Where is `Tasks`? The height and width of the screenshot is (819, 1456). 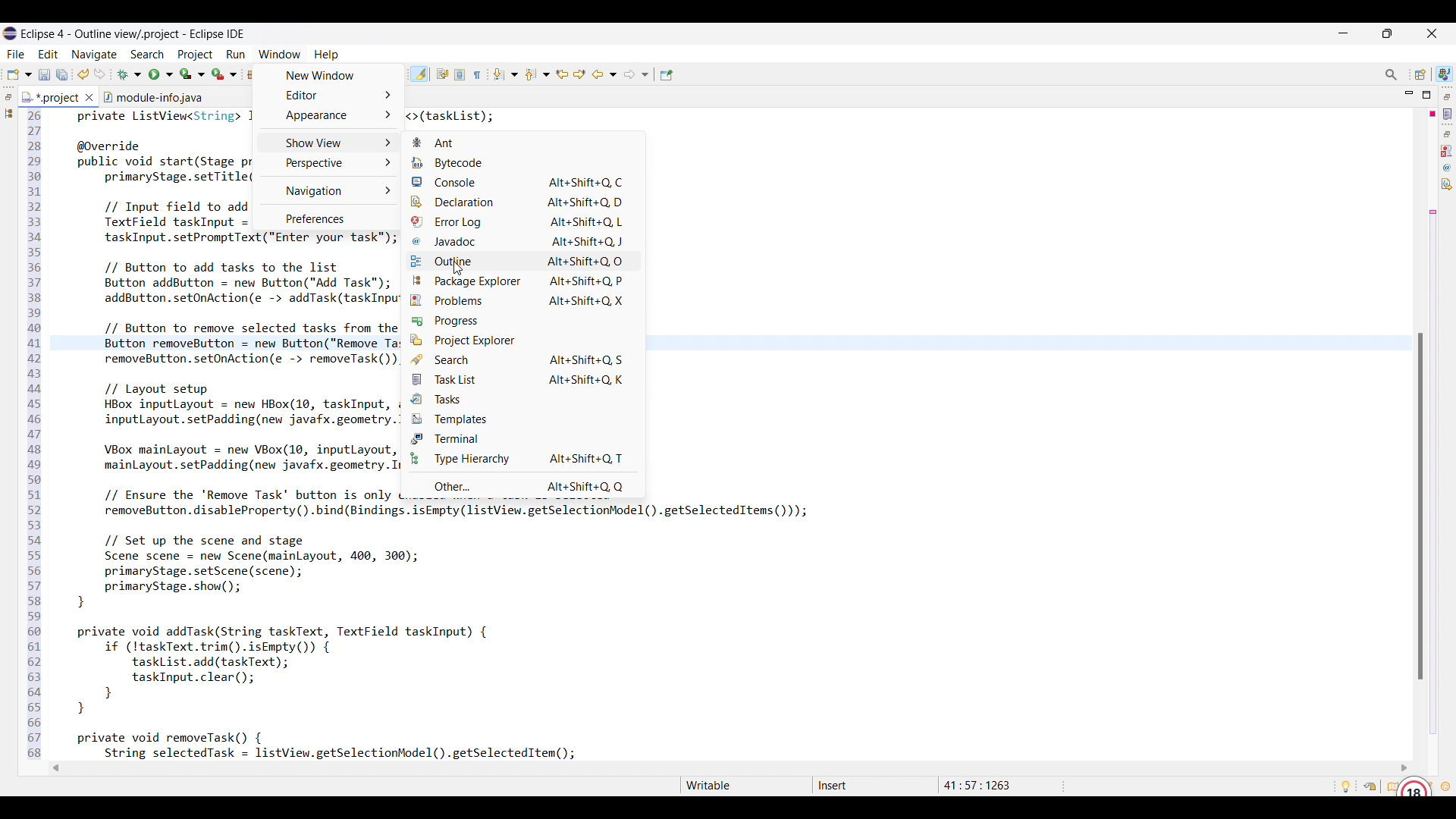 Tasks is located at coordinates (522, 398).